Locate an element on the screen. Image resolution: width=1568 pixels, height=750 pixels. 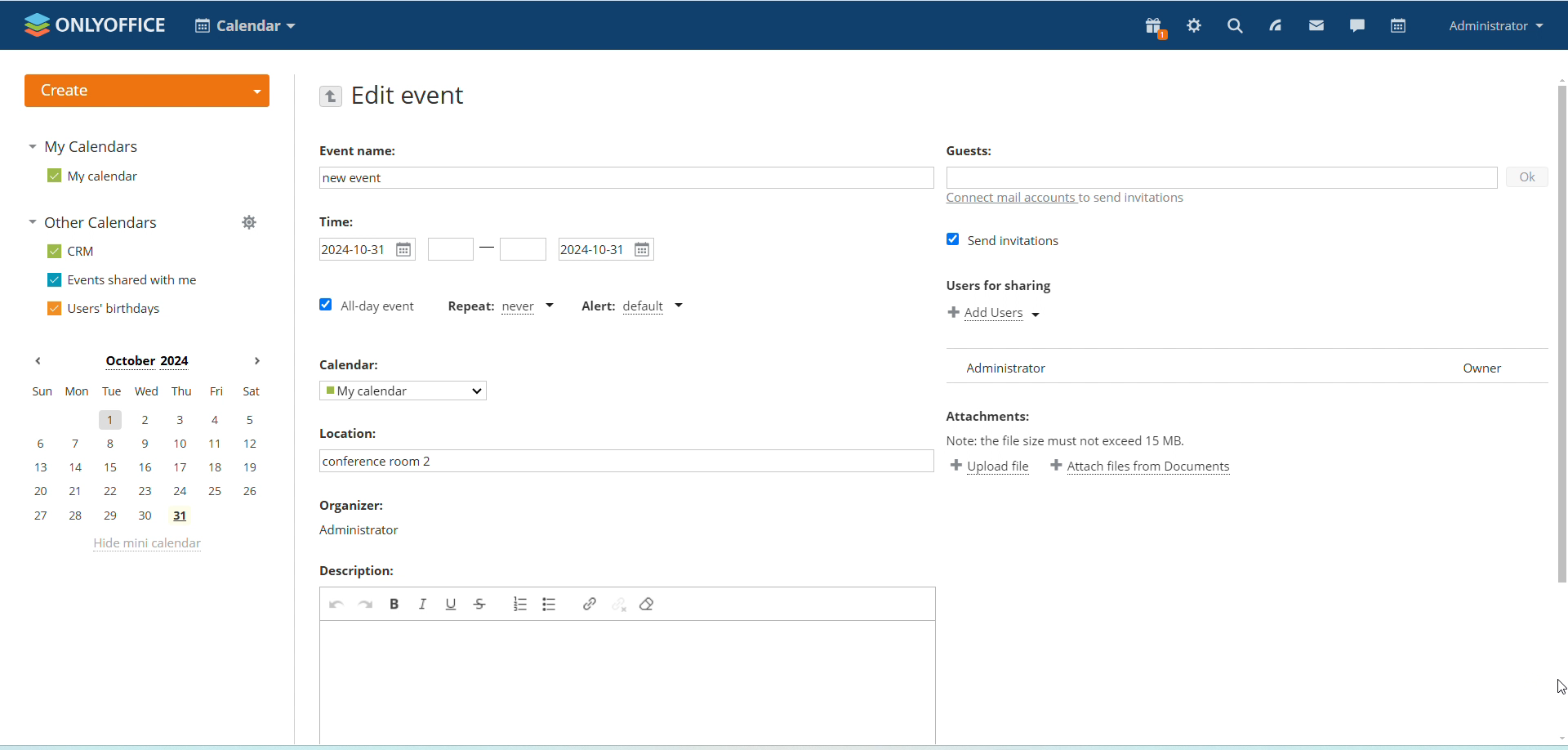
users' birthdays is located at coordinates (103, 310).